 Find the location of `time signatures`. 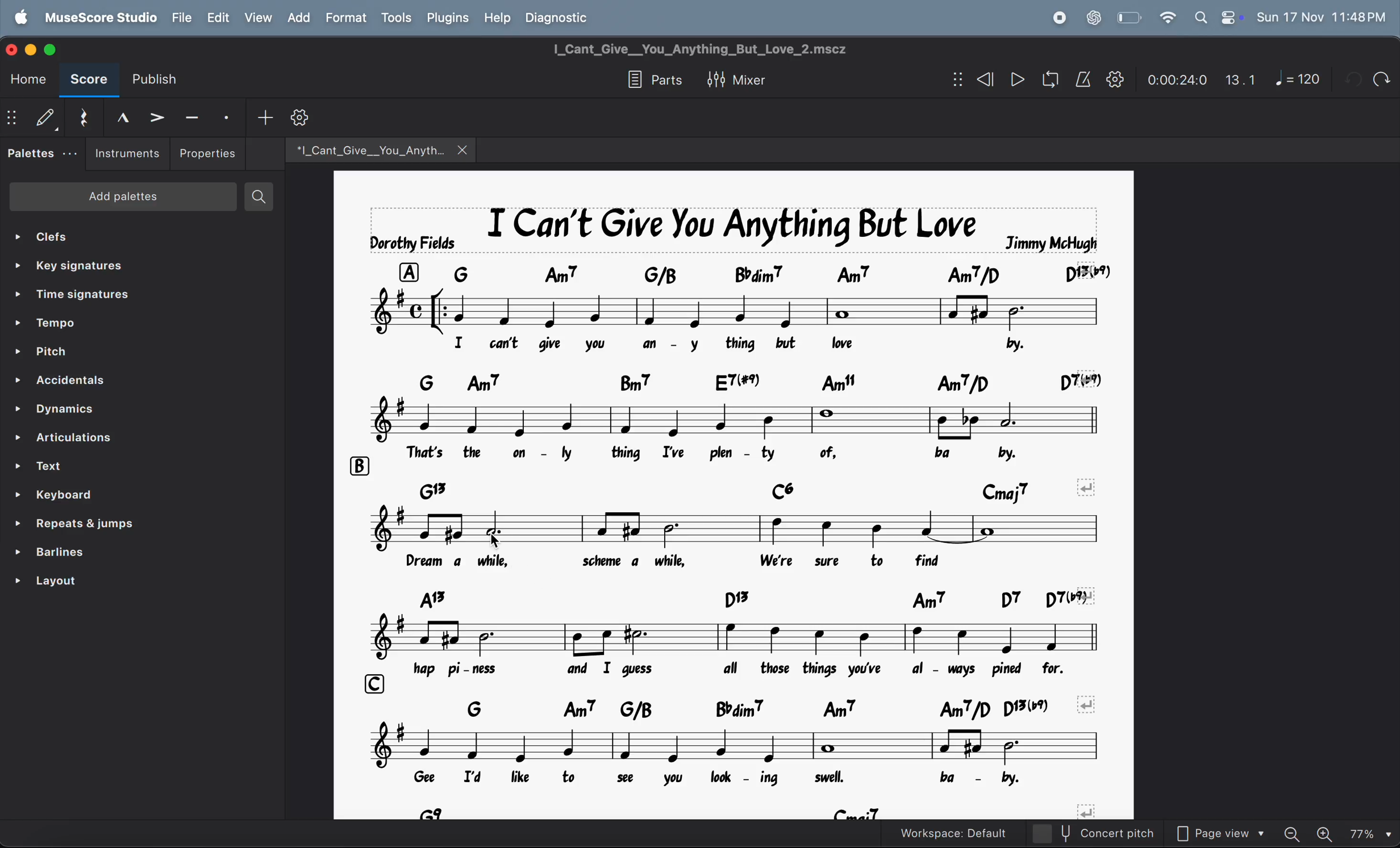

time signatures is located at coordinates (127, 297).